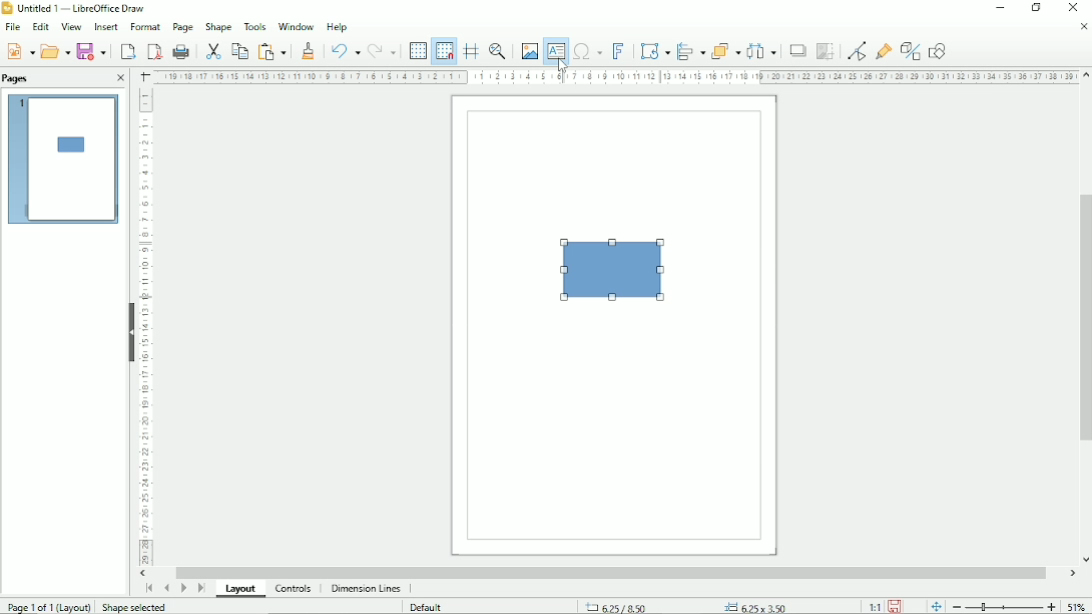 The image size is (1092, 614). I want to click on Pages, so click(16, 79).